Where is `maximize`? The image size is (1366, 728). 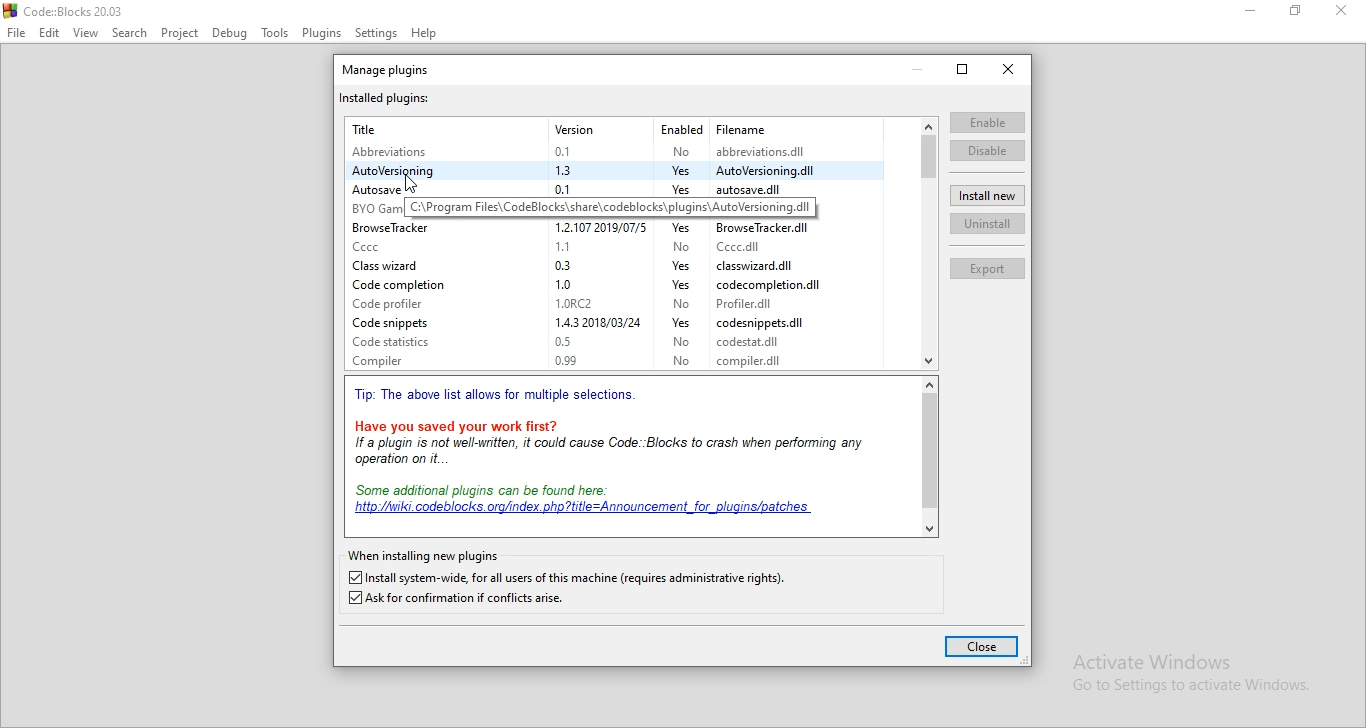 maximize is located at coordinates (1295, 10).